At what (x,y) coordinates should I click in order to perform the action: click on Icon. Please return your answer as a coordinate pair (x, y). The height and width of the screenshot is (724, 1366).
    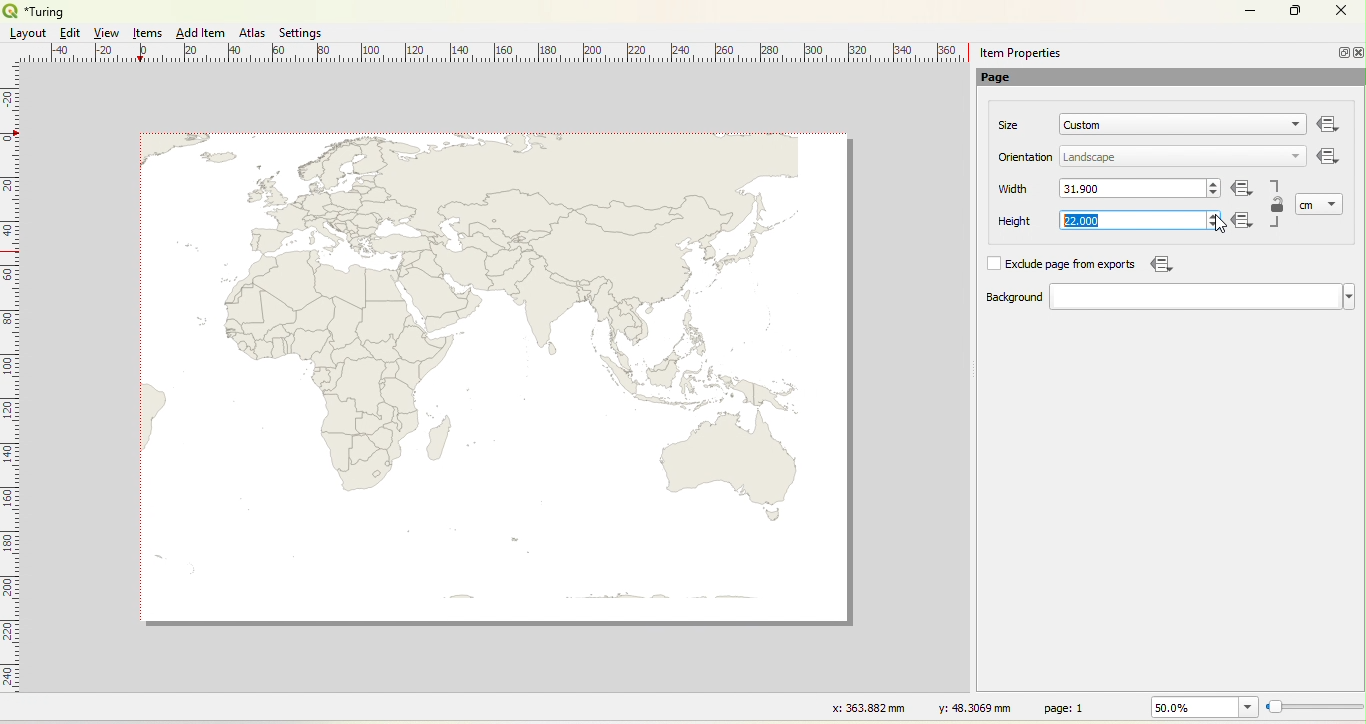
    Looking at the image, I should click on (1243, 190).